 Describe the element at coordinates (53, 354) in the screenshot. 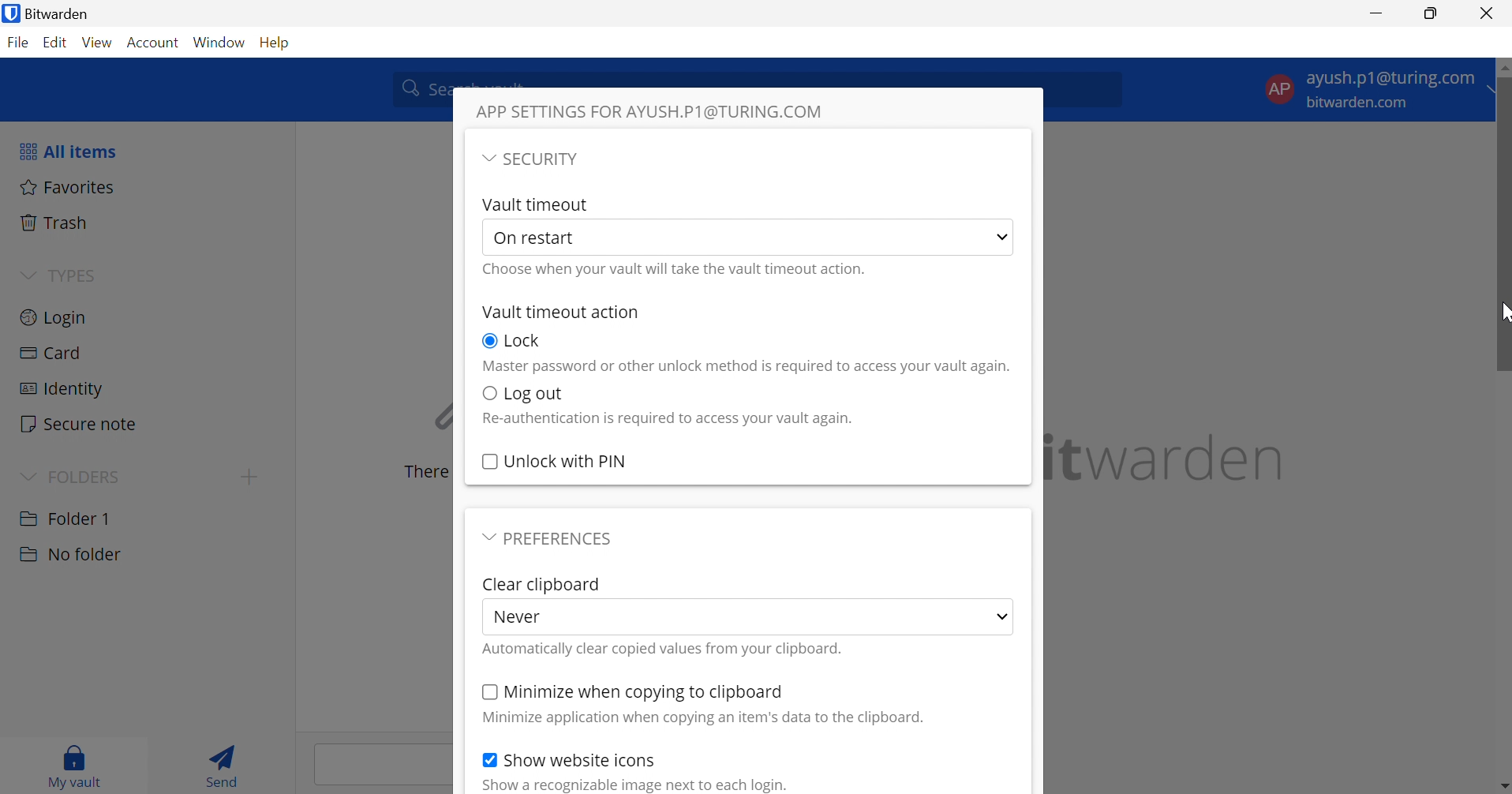

I see `Card` at that location.